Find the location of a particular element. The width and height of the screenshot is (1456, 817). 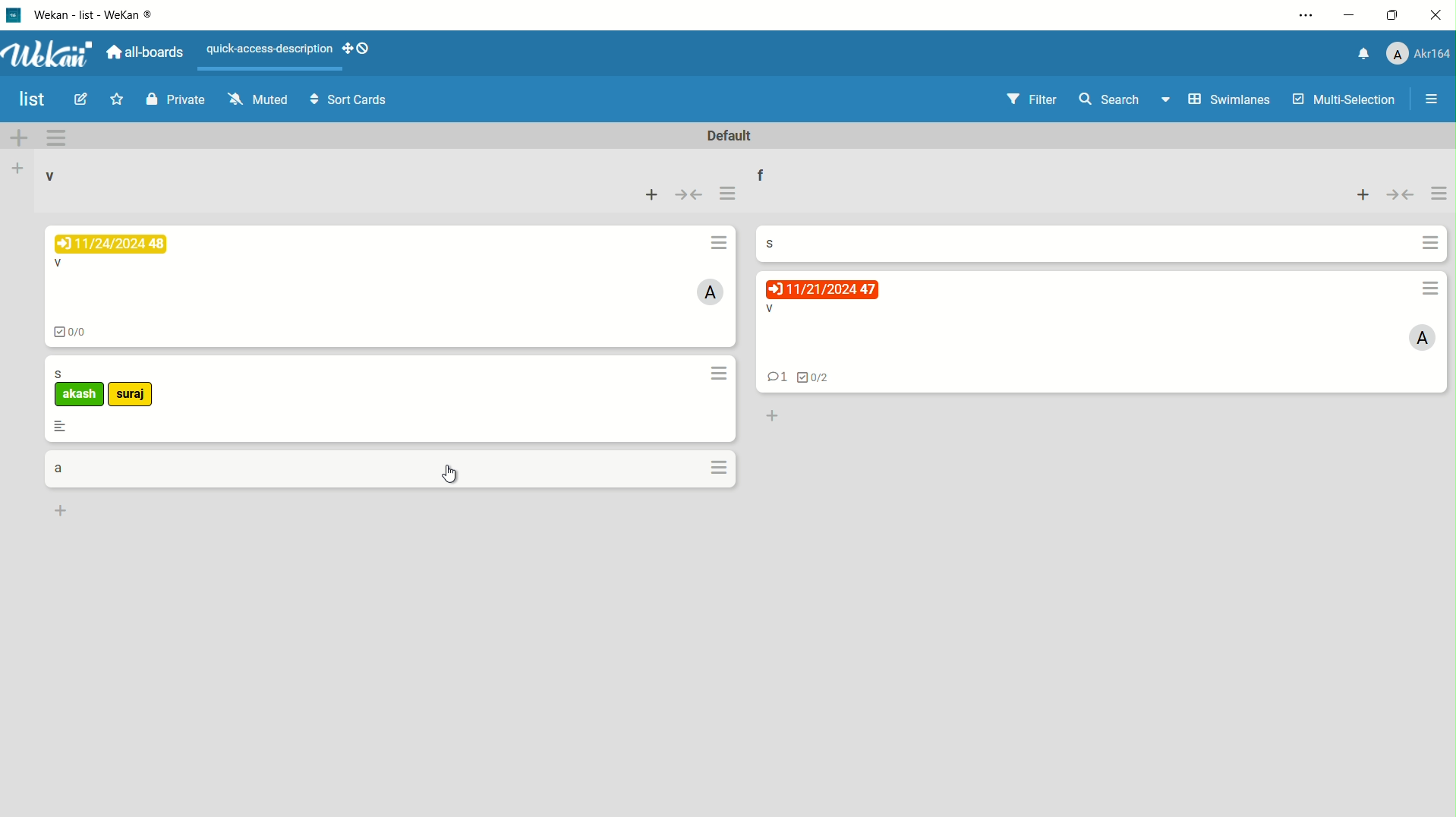

card name is located at coordinates (57, 468).